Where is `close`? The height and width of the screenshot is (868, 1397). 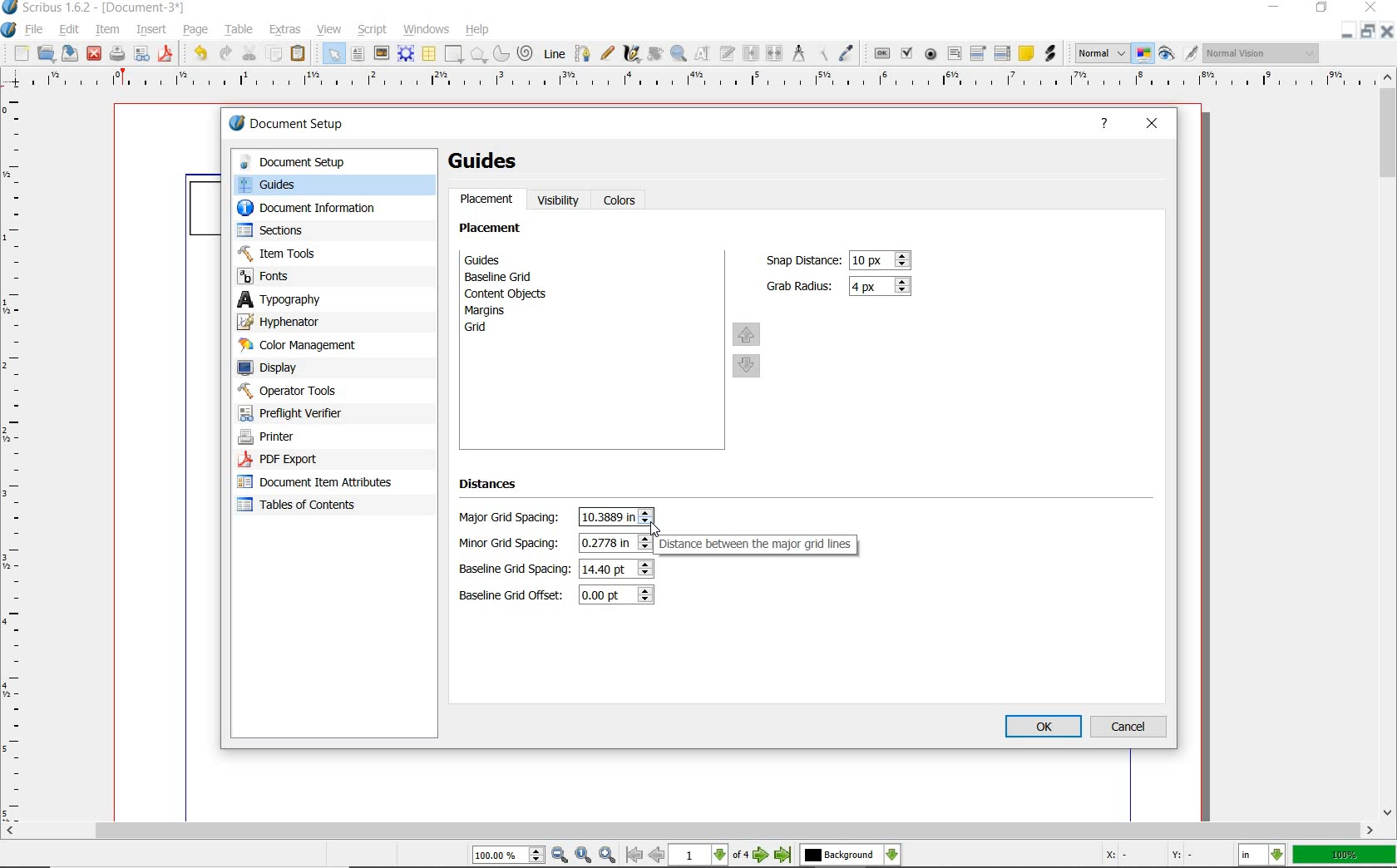 close is located at coordinates (1389, 31).